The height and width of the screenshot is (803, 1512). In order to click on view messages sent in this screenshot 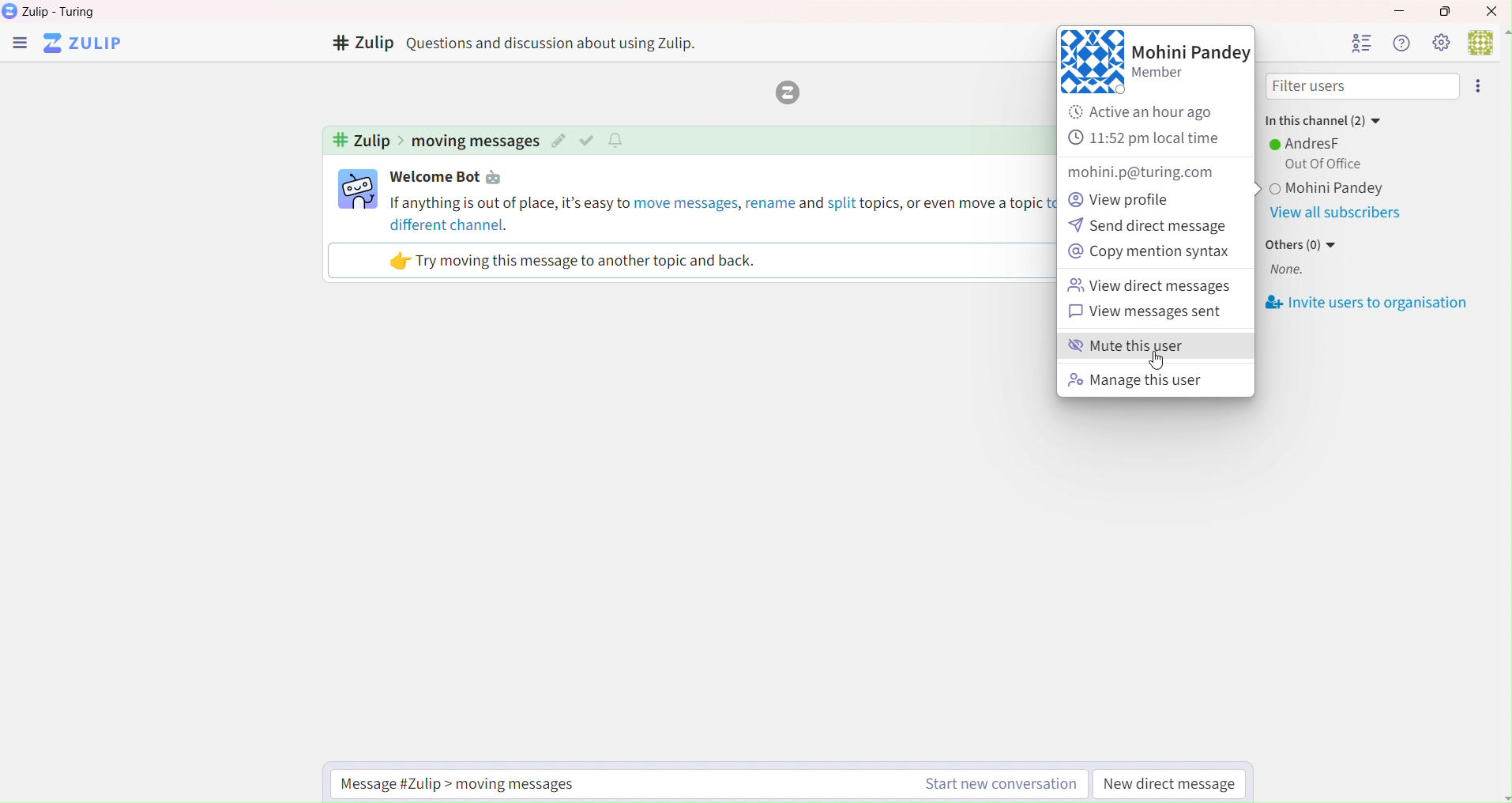, I will do `click(1157, 313)`.